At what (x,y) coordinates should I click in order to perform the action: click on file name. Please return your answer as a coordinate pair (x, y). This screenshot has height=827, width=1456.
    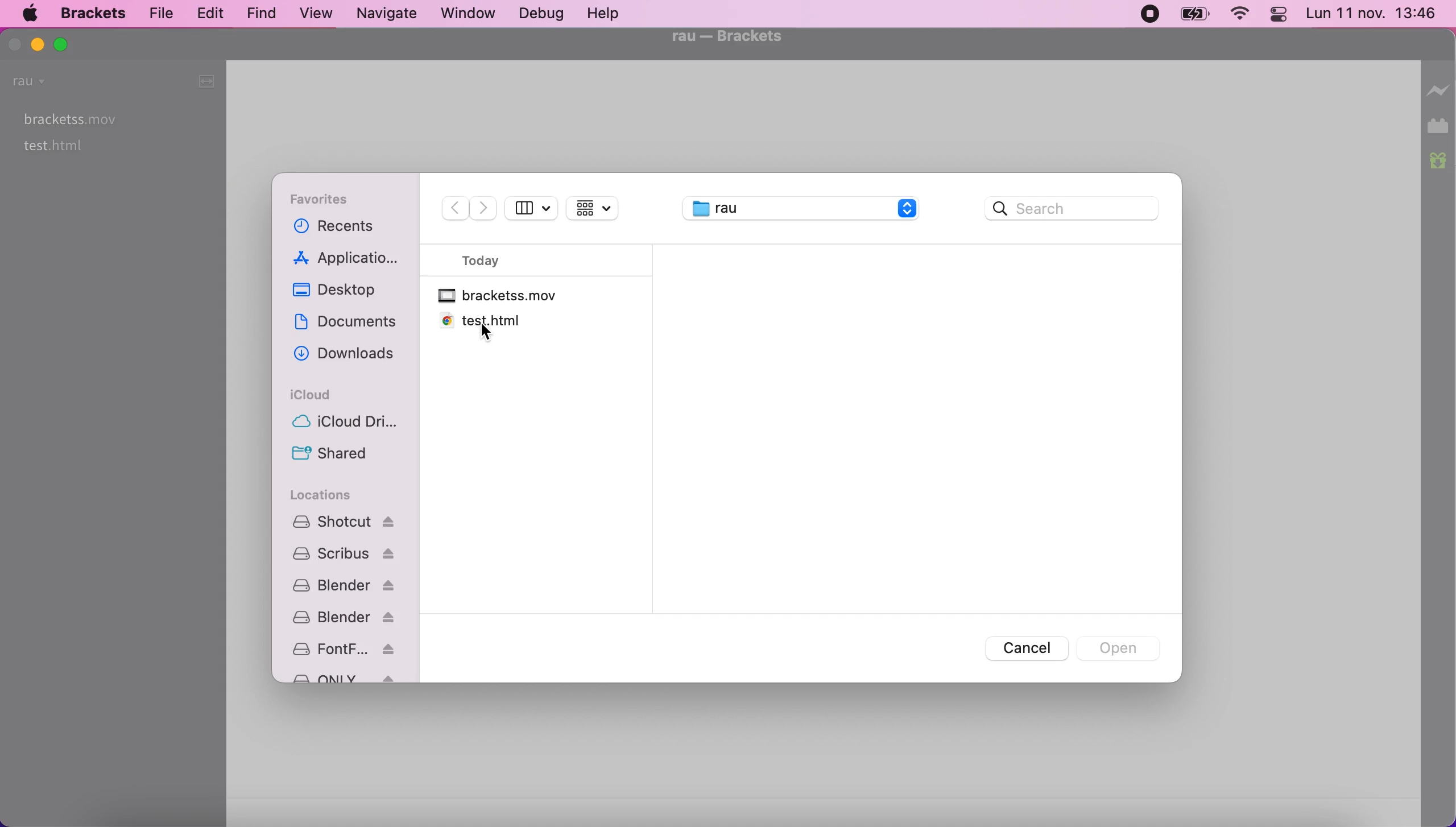
    Looking at the image, I should click on (727, 37).